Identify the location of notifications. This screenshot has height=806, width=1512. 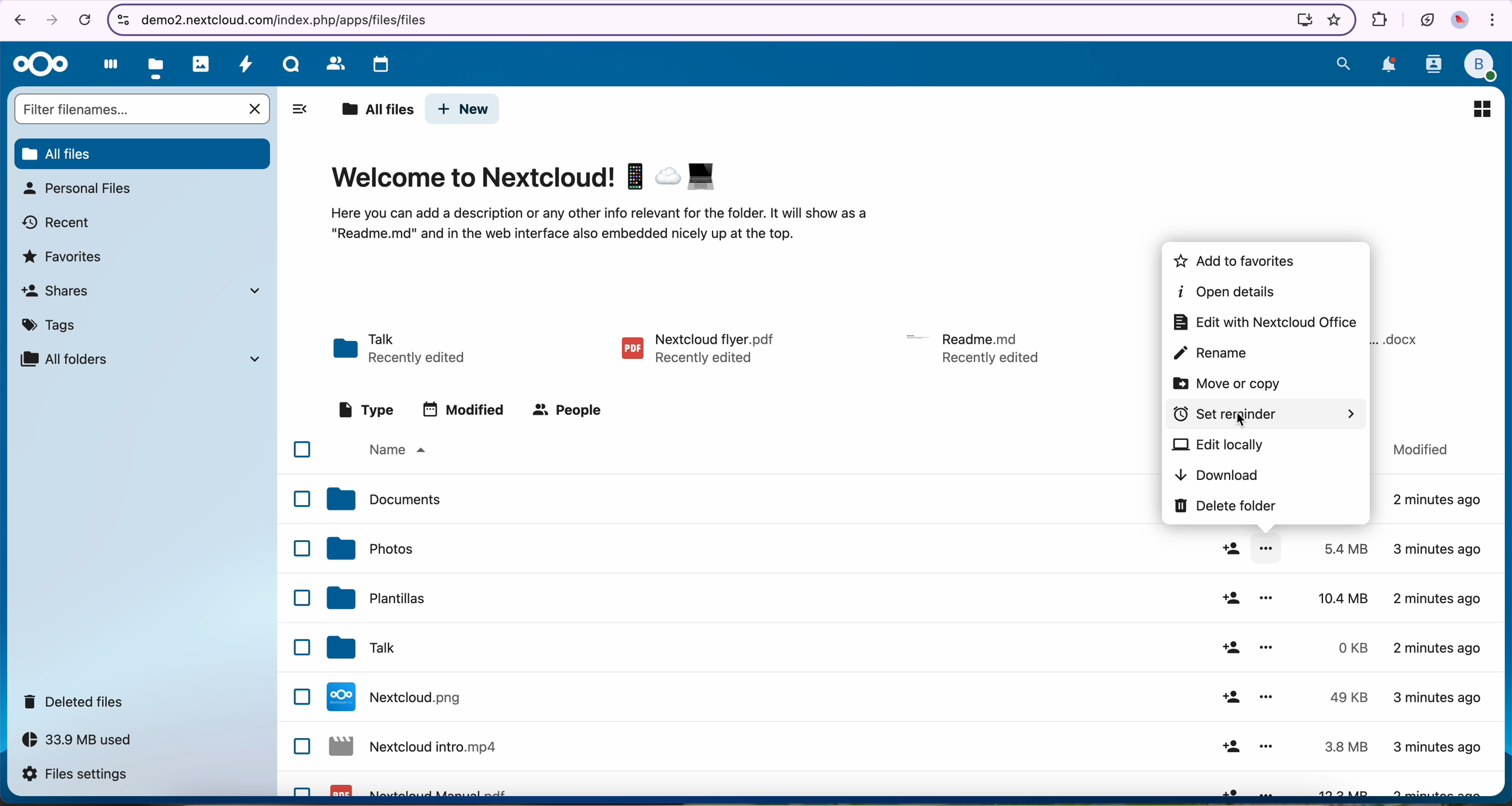
(1388, 66).